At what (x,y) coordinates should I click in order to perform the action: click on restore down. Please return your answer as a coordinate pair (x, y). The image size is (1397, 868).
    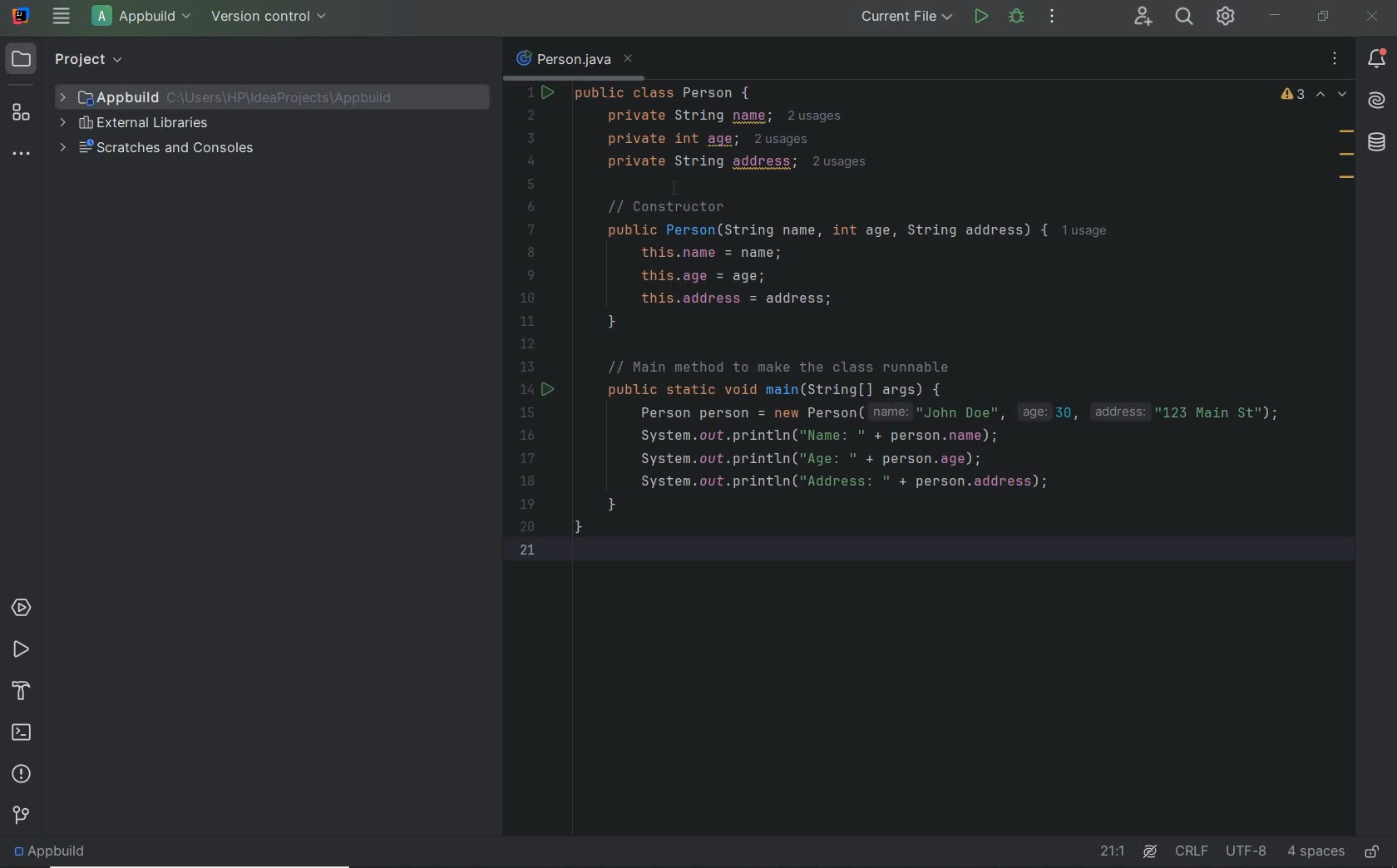
    Looking at the image, I should click on (1322, 16).